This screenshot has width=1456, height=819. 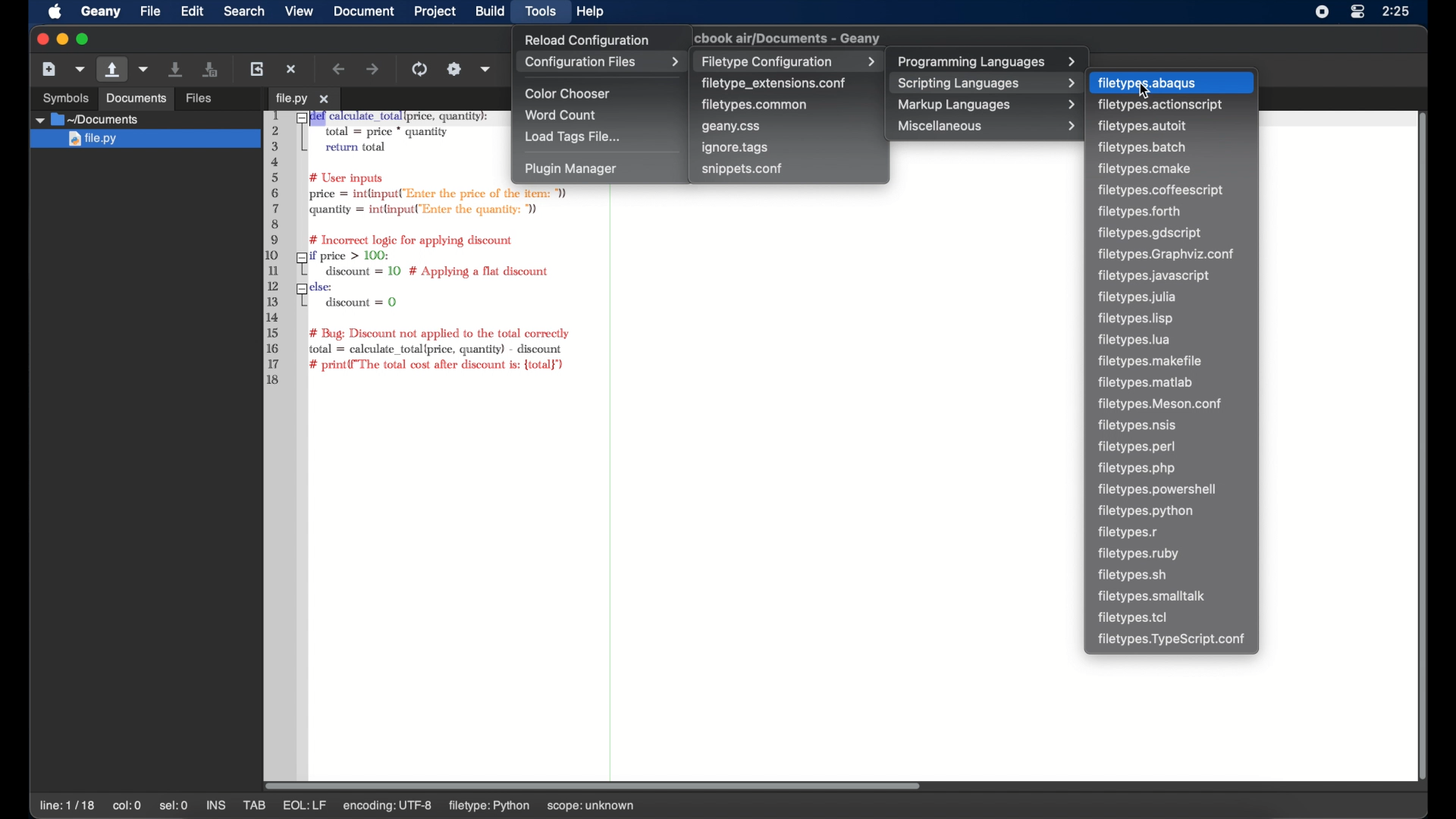 What do you see at coordinates (244, 11) in the screenshot?
I see `search` at bounding box center [244, 11].